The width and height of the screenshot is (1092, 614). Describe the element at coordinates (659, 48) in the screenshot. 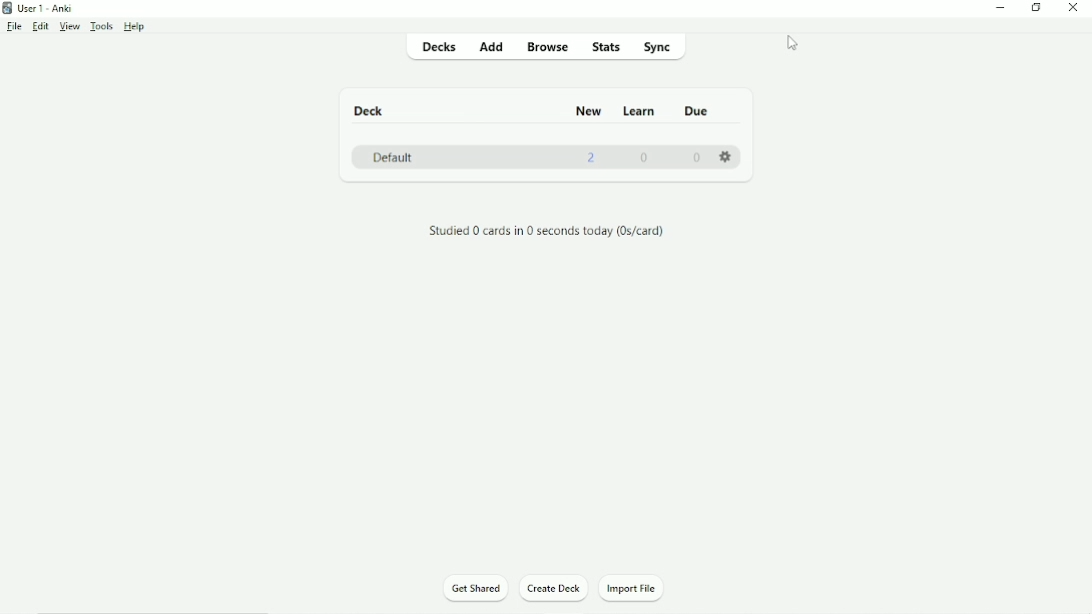

I see `Sync` at that location.